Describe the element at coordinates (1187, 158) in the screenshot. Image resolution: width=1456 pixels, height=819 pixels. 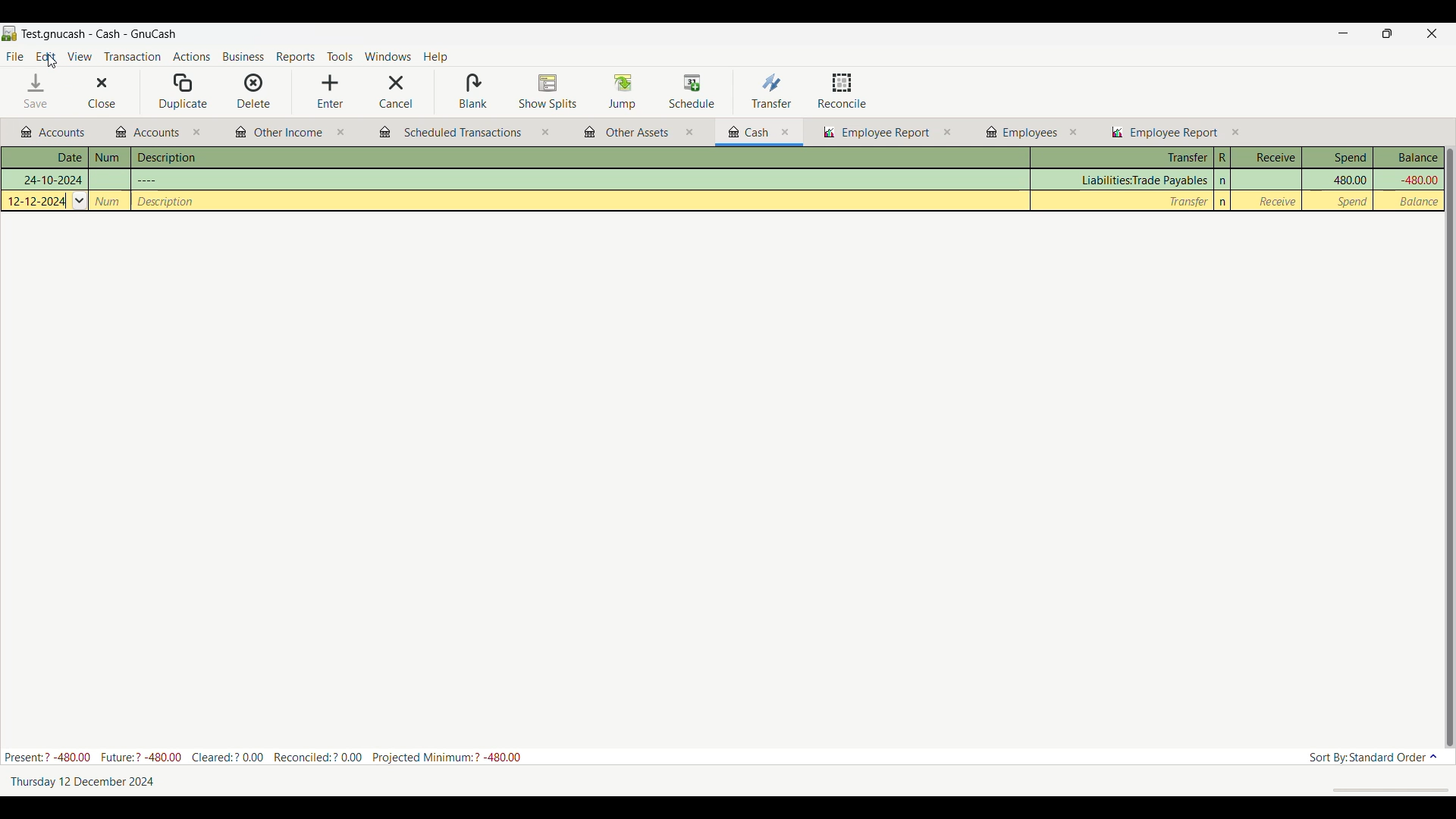
I see `Transfer column` at that location.